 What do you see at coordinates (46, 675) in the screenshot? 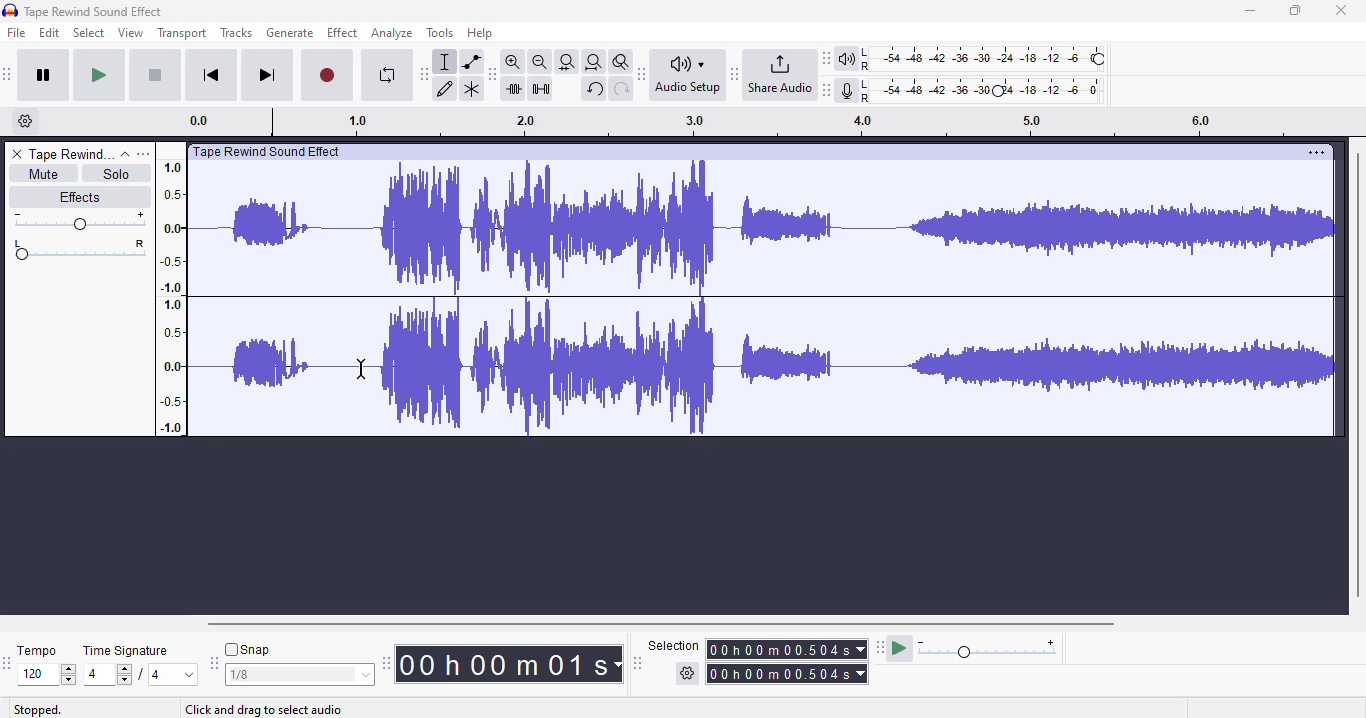
I see `120` at bounding box center [46, 675].